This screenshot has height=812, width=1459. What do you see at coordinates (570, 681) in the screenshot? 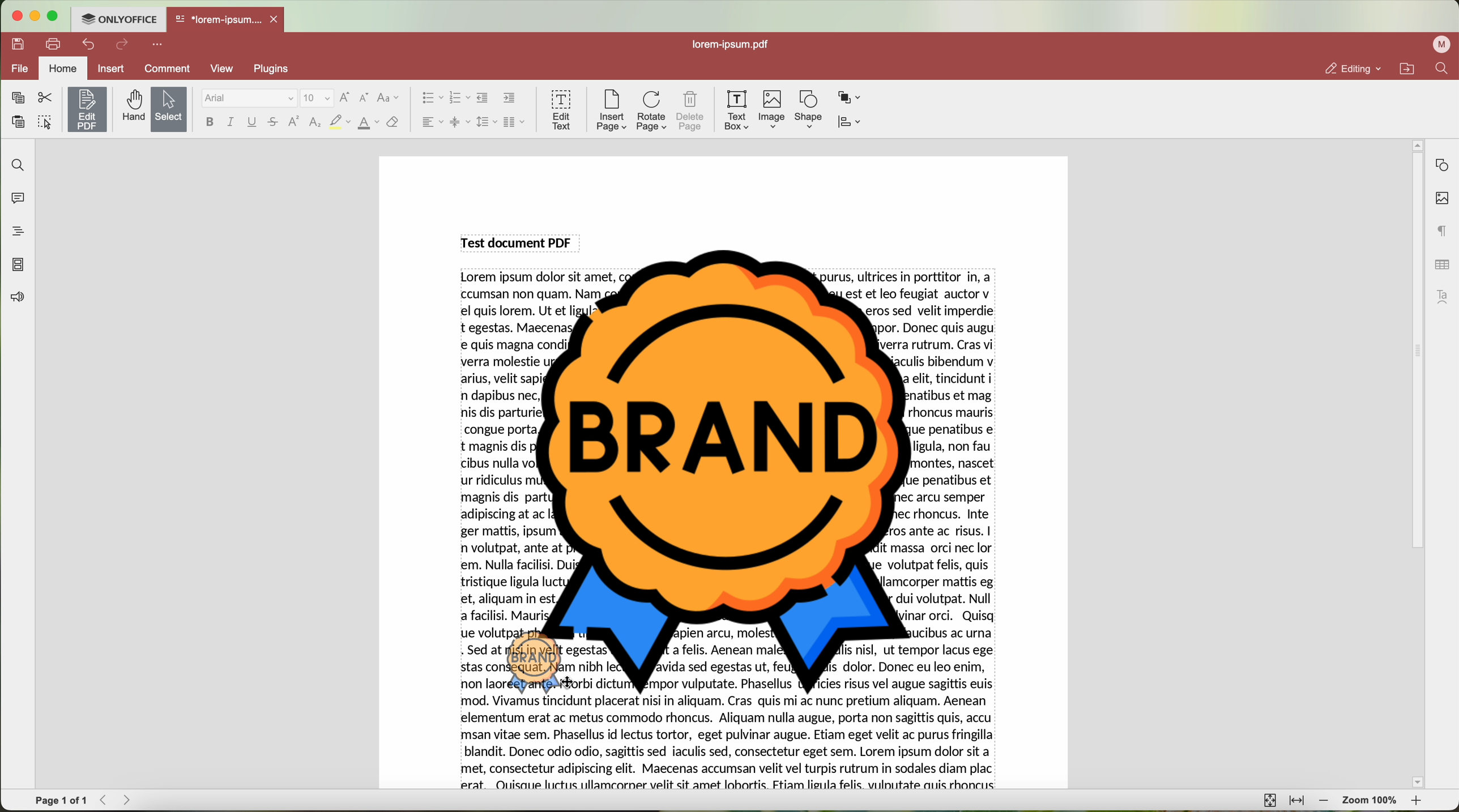
I see `cursor` at bounding box center [570, 681].